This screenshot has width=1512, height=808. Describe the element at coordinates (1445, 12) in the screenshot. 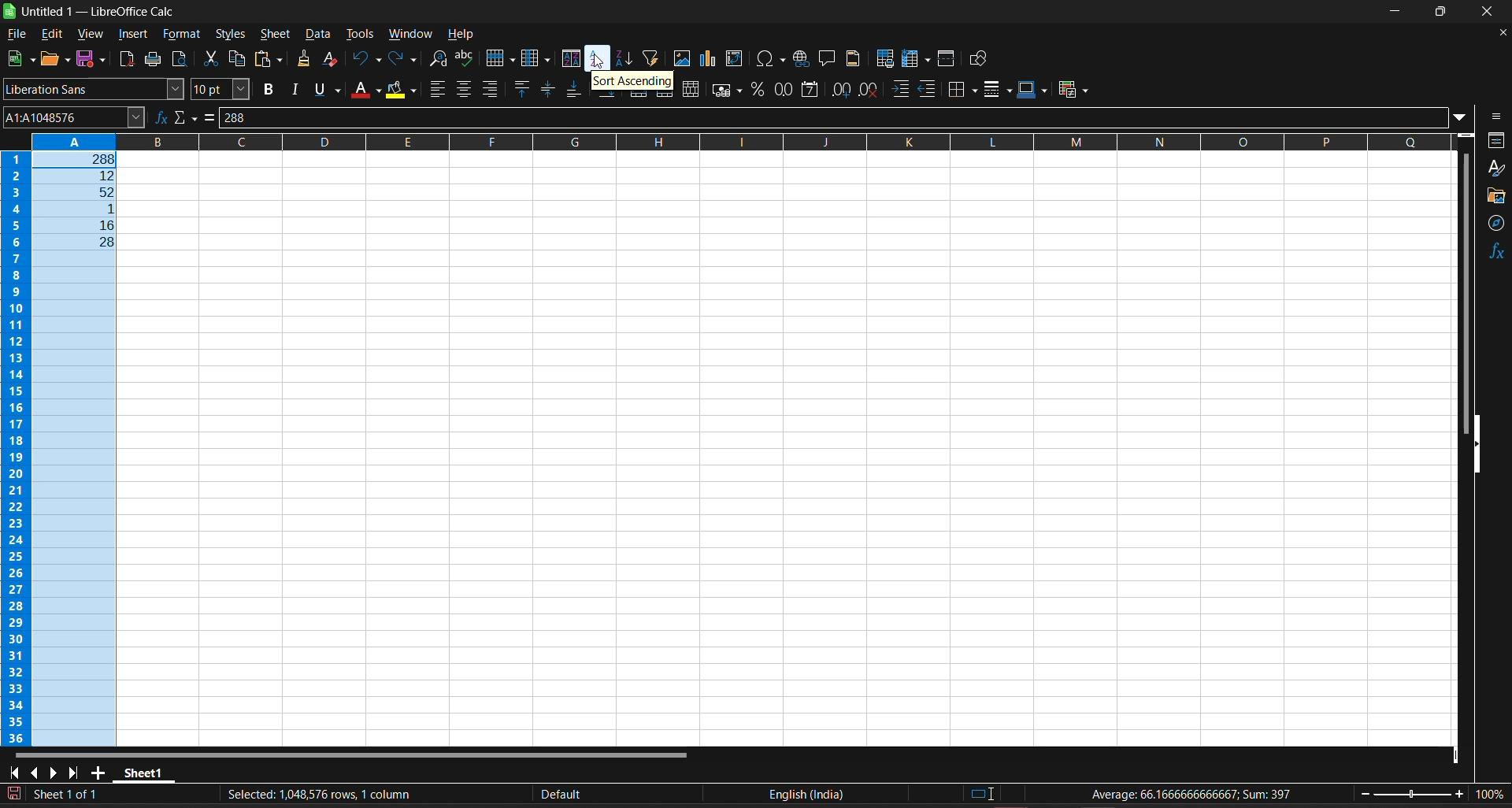

I see `maximize` at that location.